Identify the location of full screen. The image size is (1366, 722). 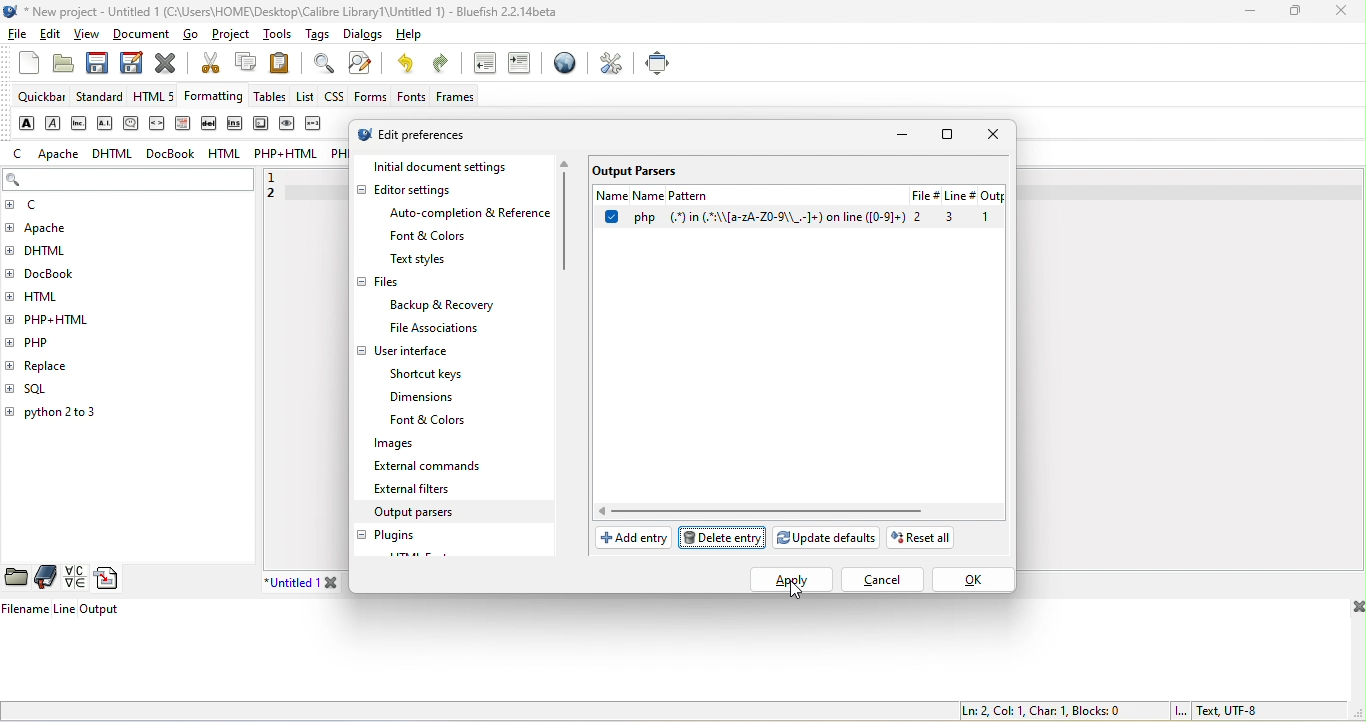
(658, 62).